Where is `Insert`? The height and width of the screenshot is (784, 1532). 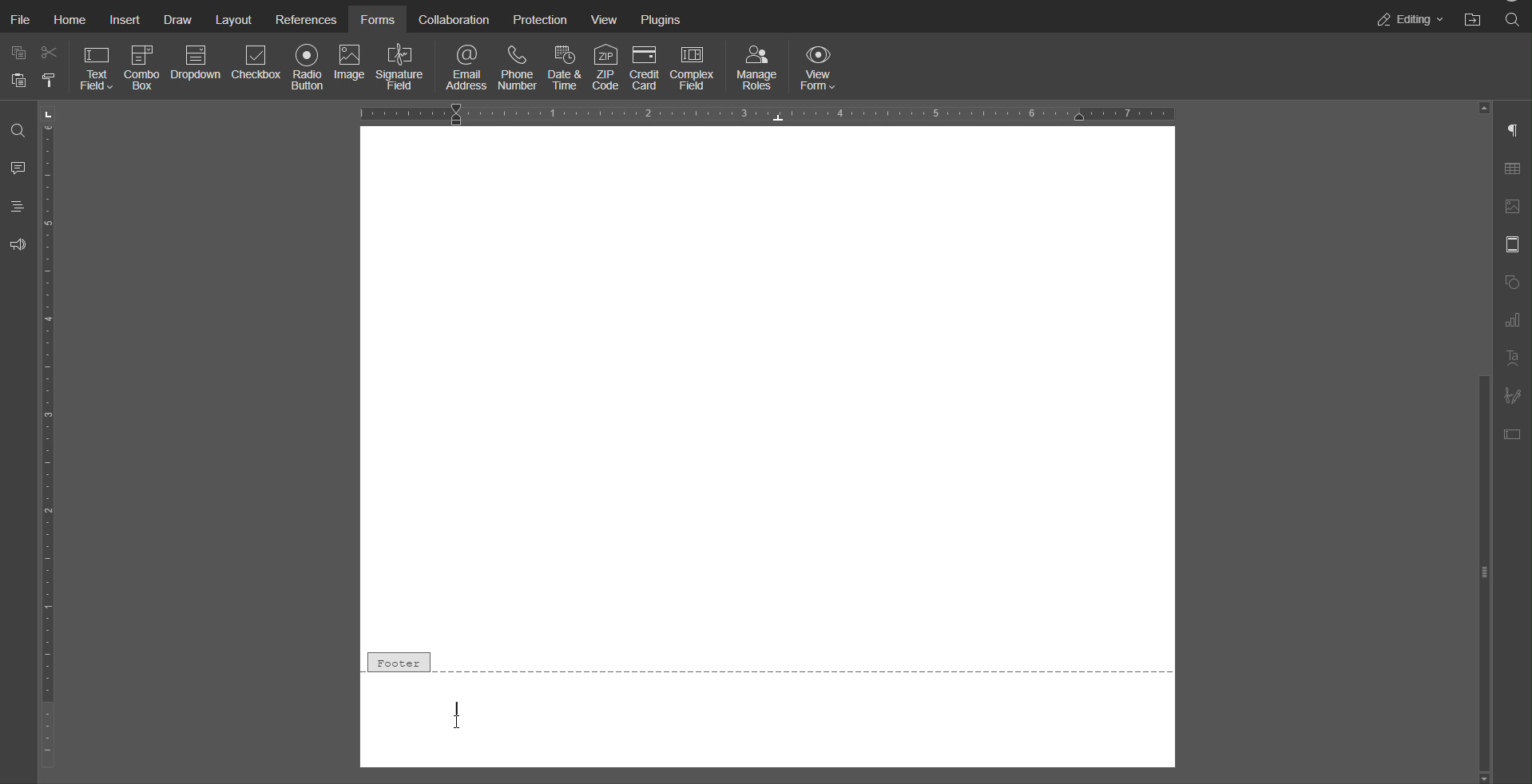
Insert is located at coordinates (126, 20).